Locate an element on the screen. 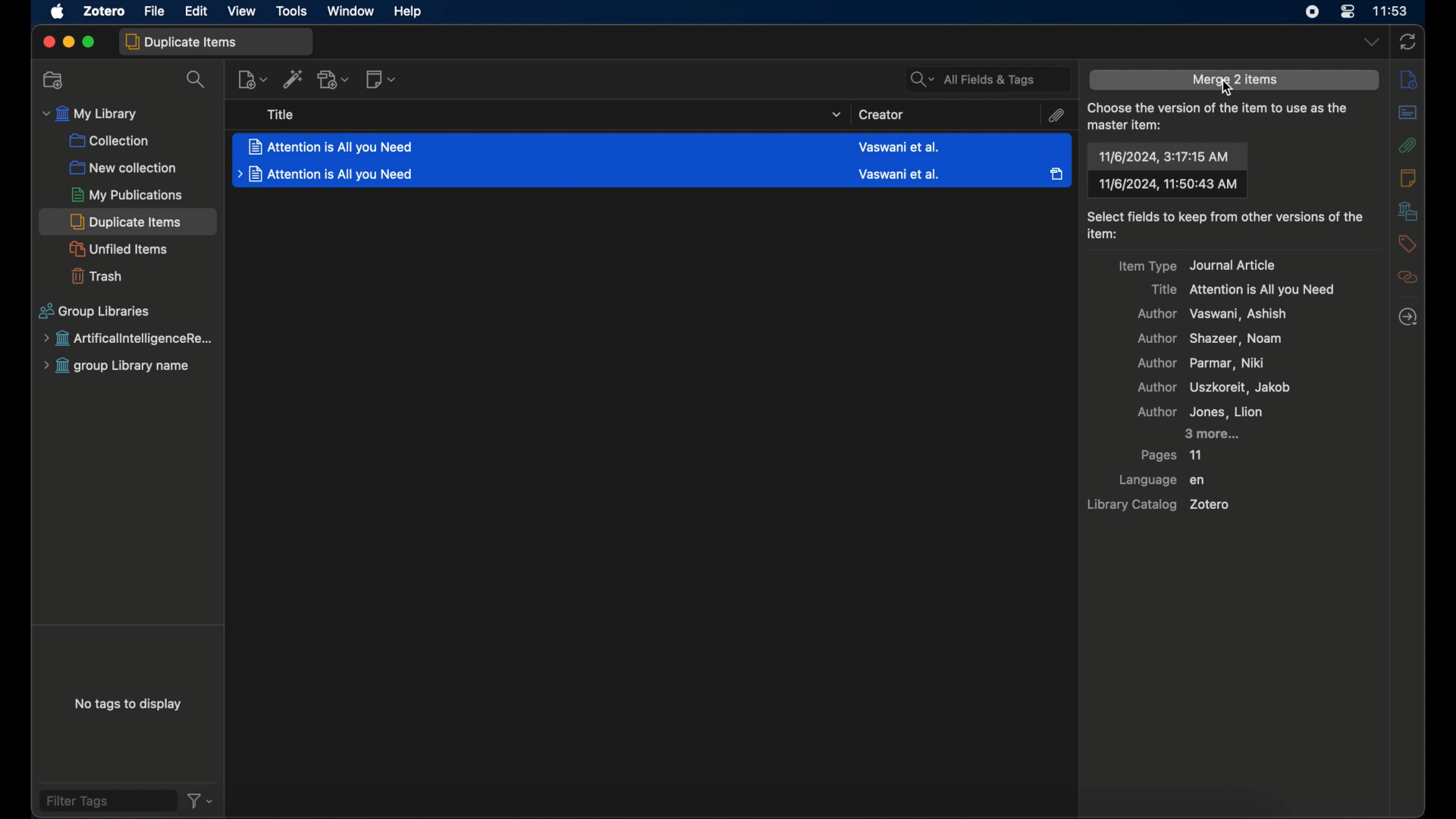 The width and height of the screenshot is (1456, 819). sync is located at coordinates (1407, 42).